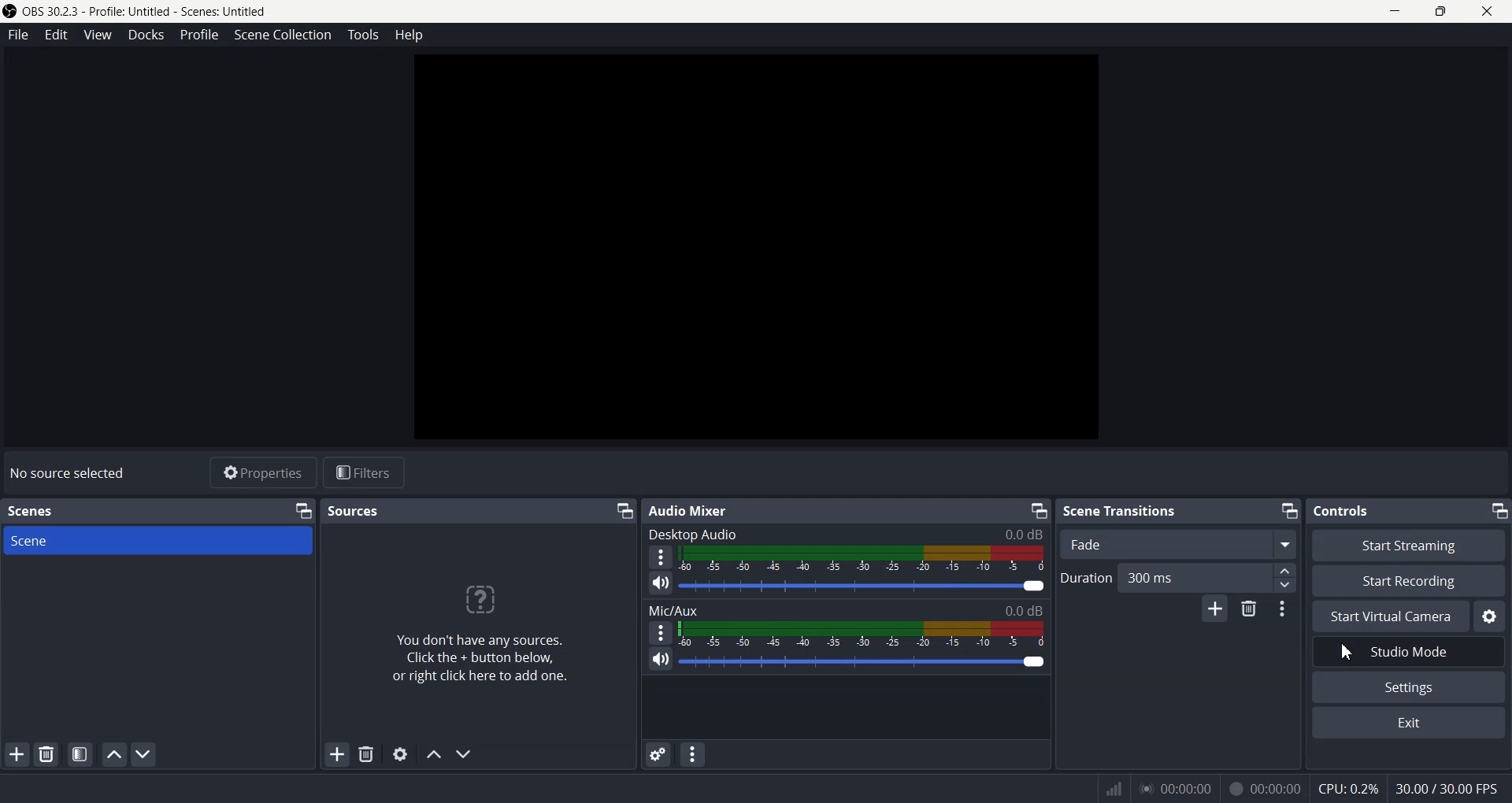  What do you see at coordinates (148, 34) in the screenshot?
I see `Docks` at bounding box center [148, 34].